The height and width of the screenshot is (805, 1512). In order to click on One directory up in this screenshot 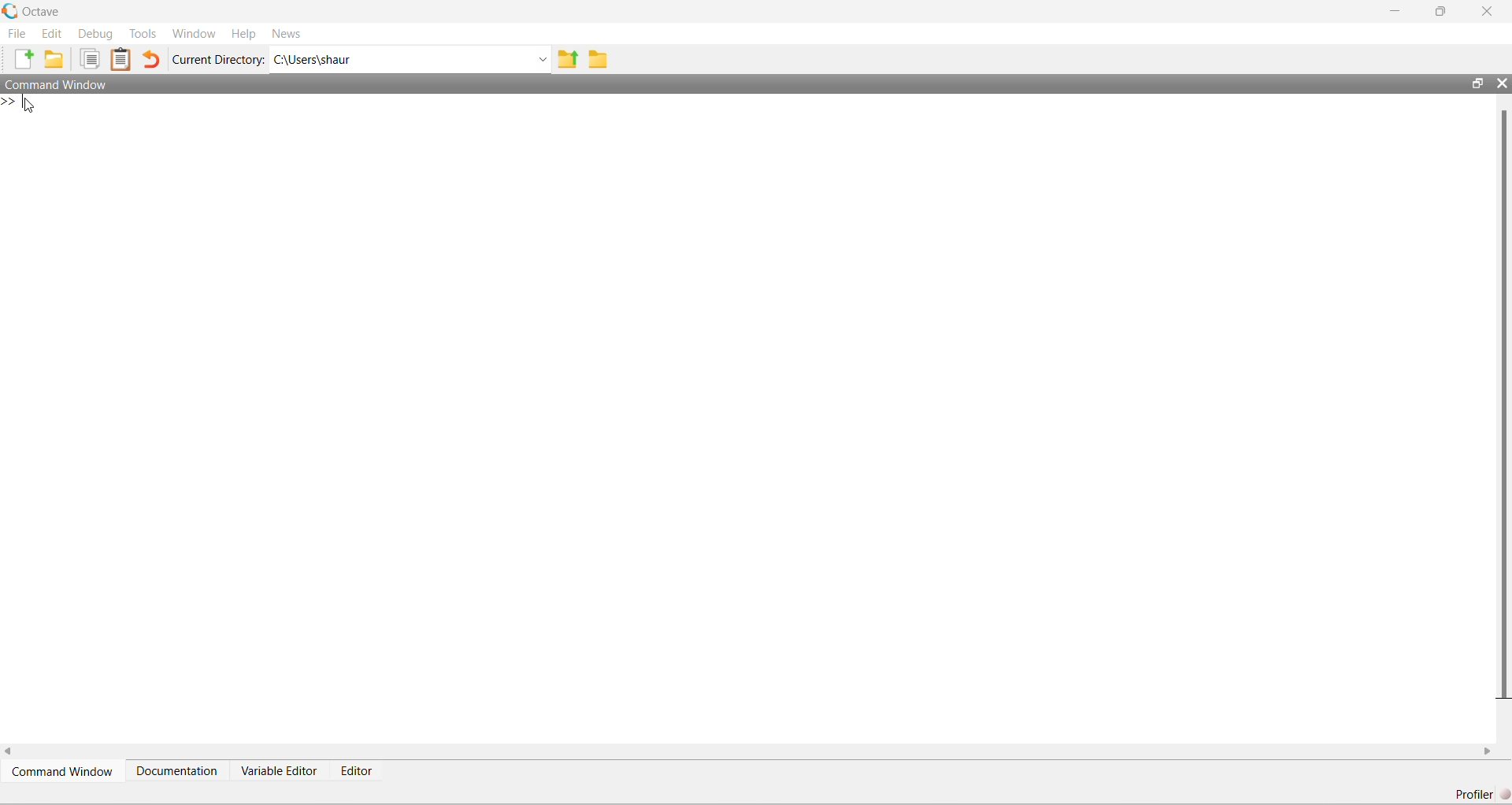, I will do `click(568, 58)`.